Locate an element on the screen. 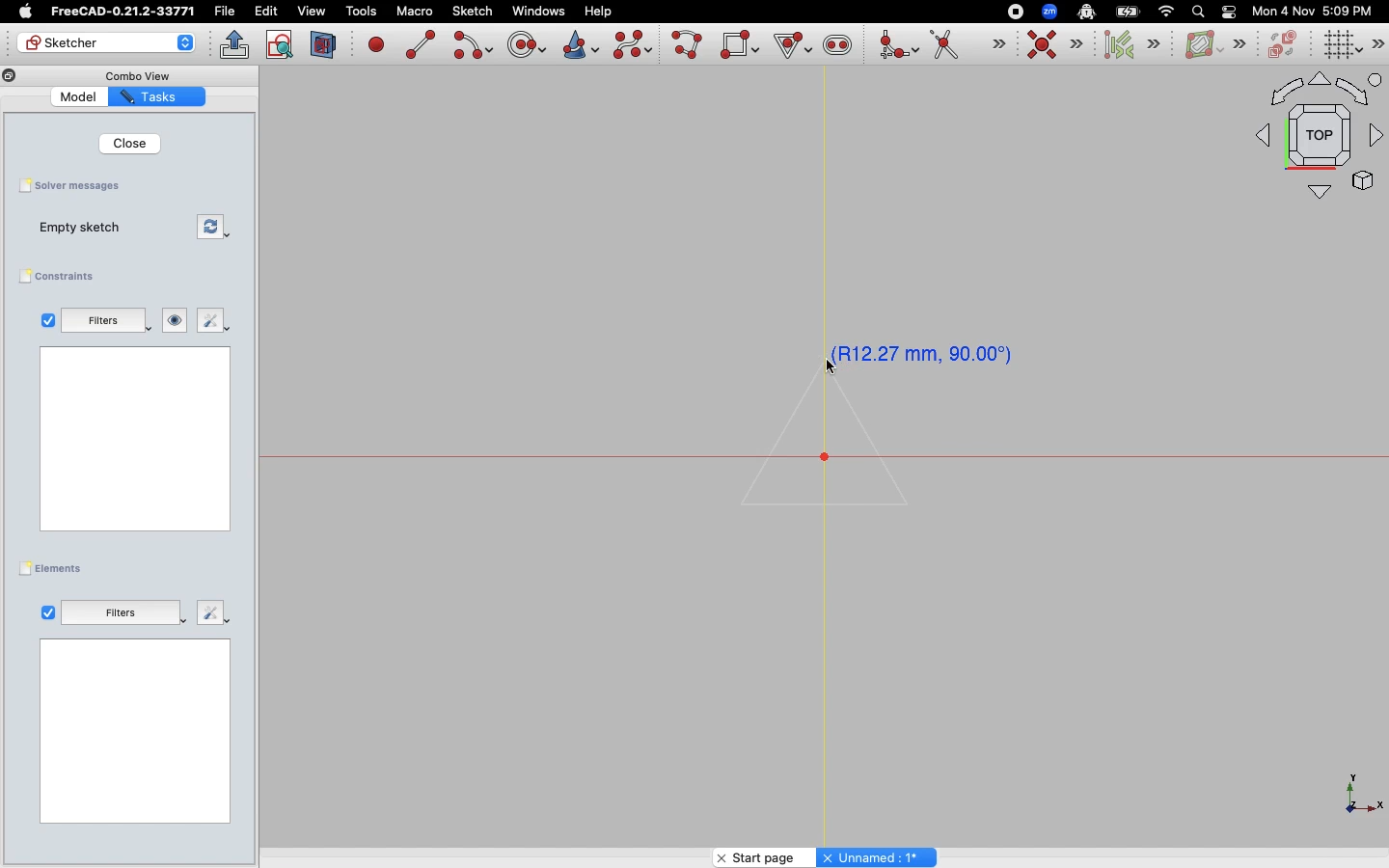  Elements is located at coordinates (56, 568).